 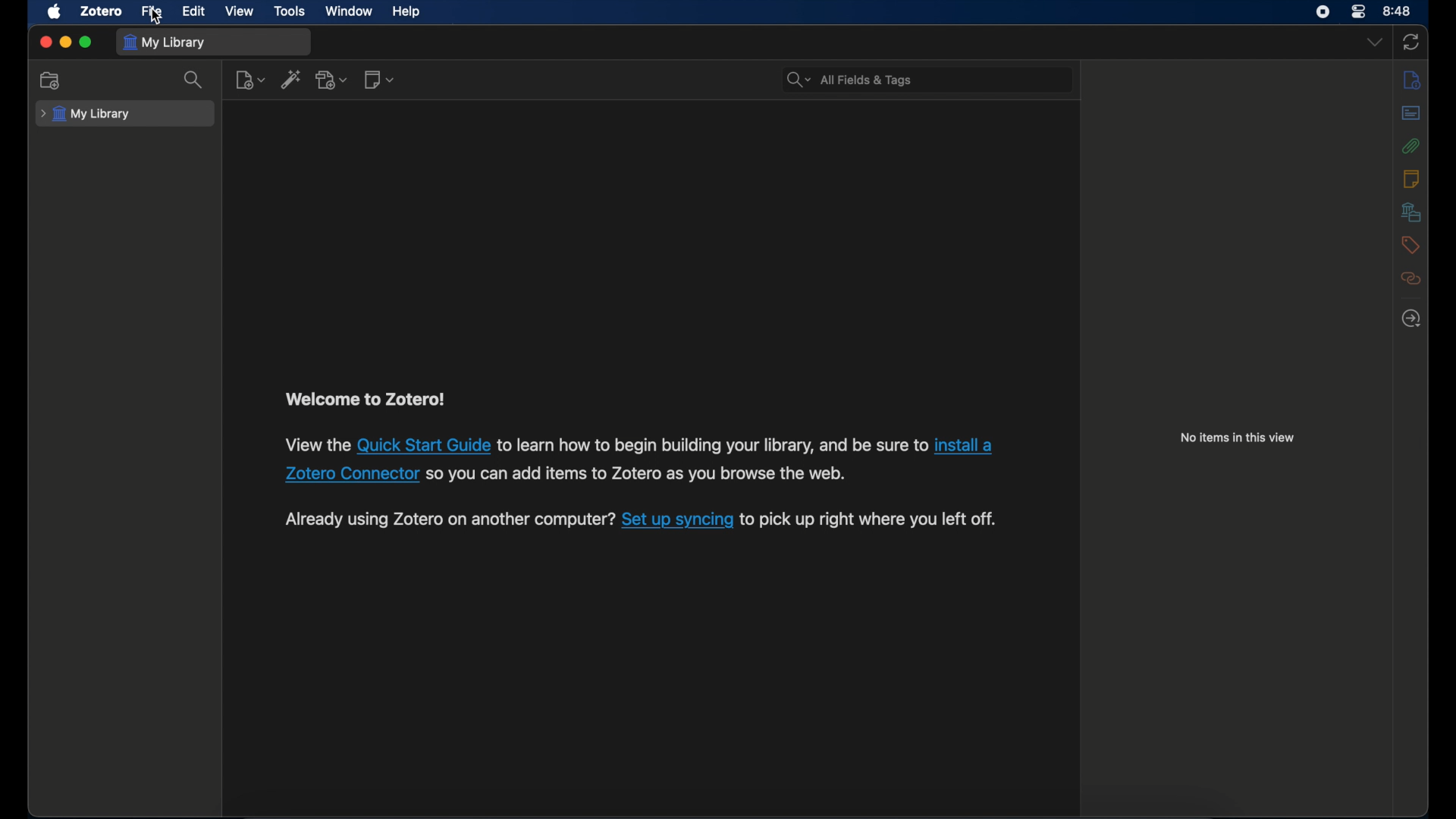 What do you see at coordinates (379, 80) in the screenshot?
I see `new note` at bounding box center [379, 80].